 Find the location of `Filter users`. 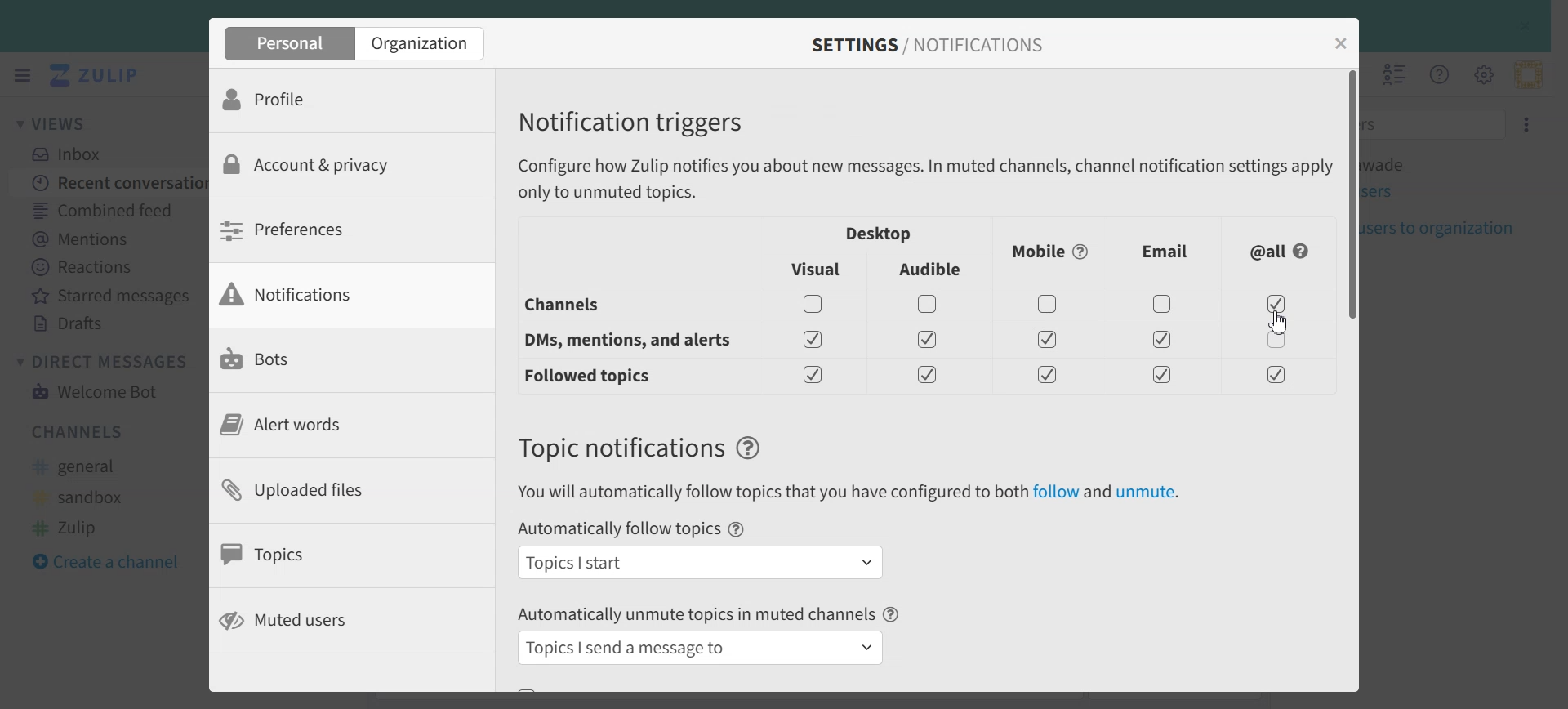

Filter users is located at coordinates (1437, 123).